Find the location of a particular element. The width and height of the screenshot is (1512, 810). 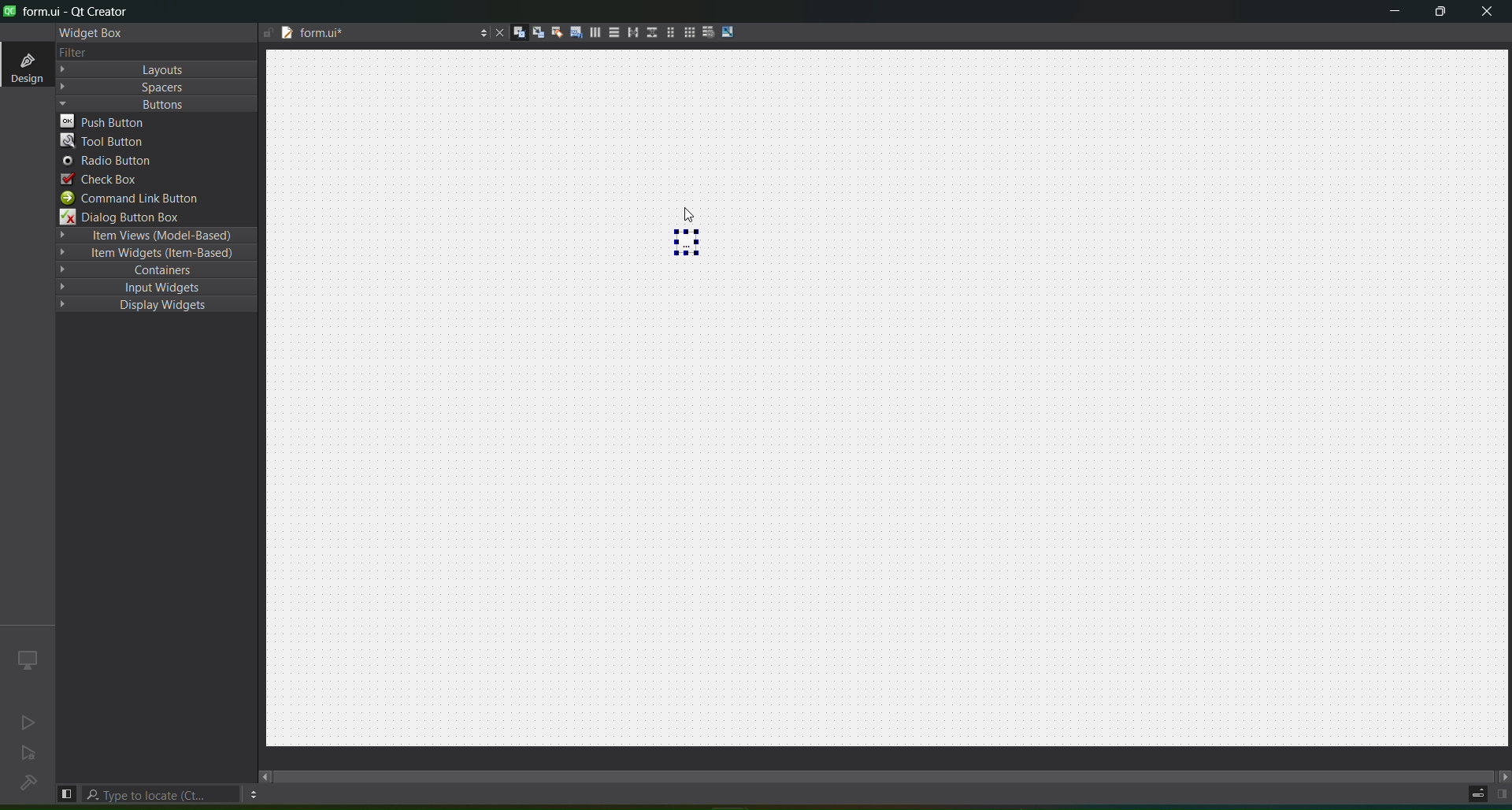

tool button is located at coordinates (157, 143).